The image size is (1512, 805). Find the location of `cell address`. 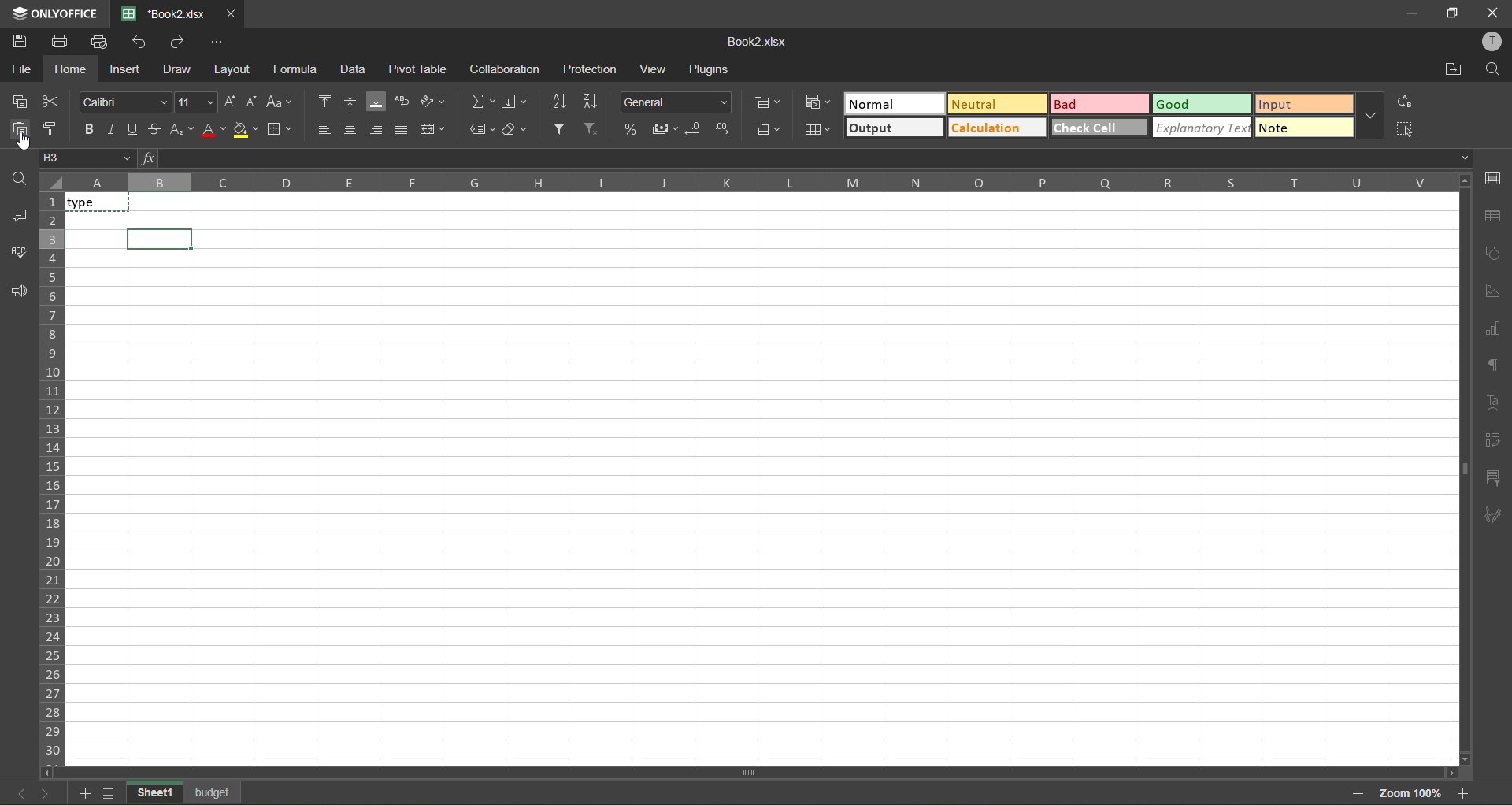

cell address is located at coordinates (89, 159).